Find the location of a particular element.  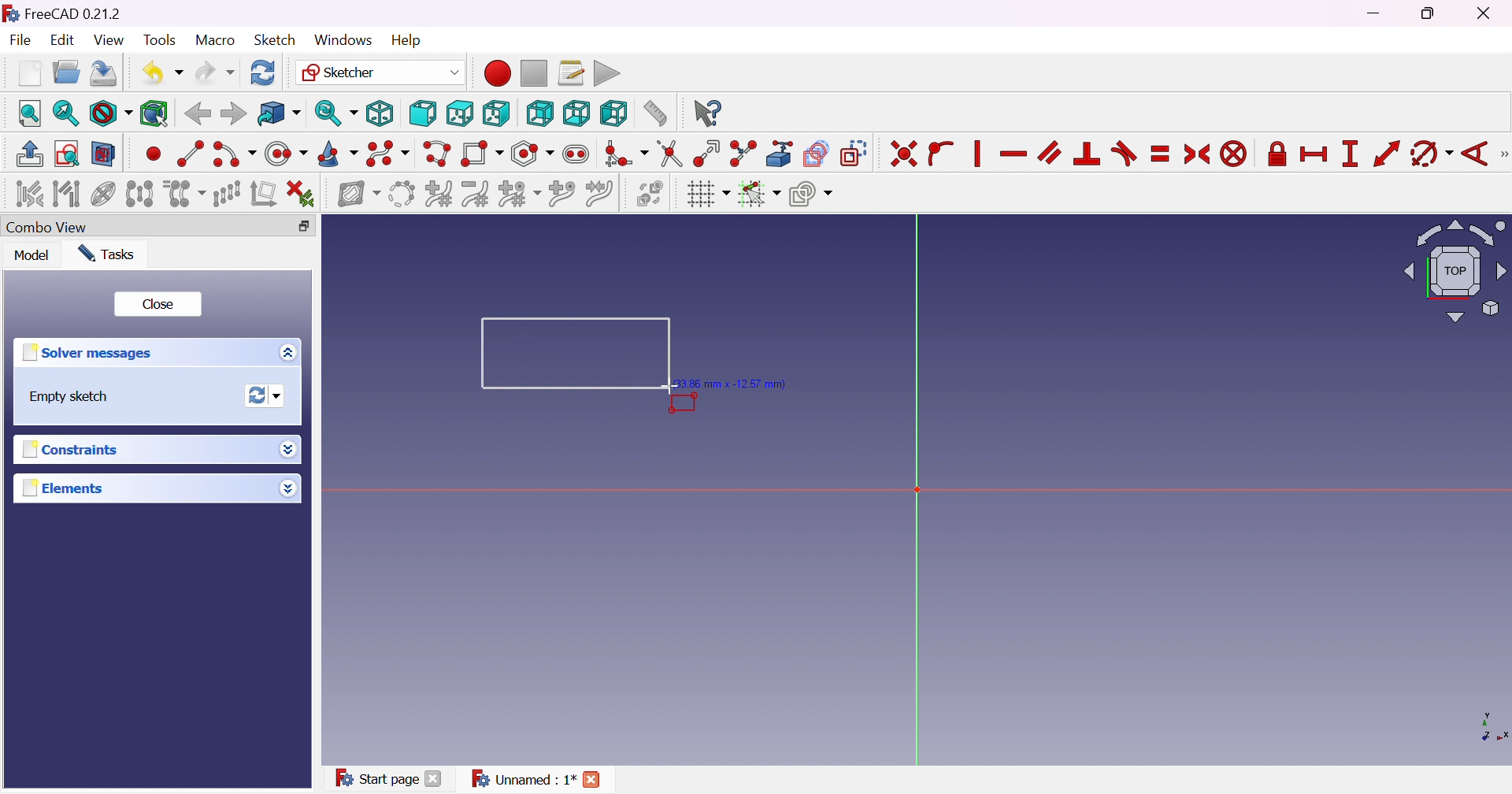

Close is located at coordinates (160, 302).